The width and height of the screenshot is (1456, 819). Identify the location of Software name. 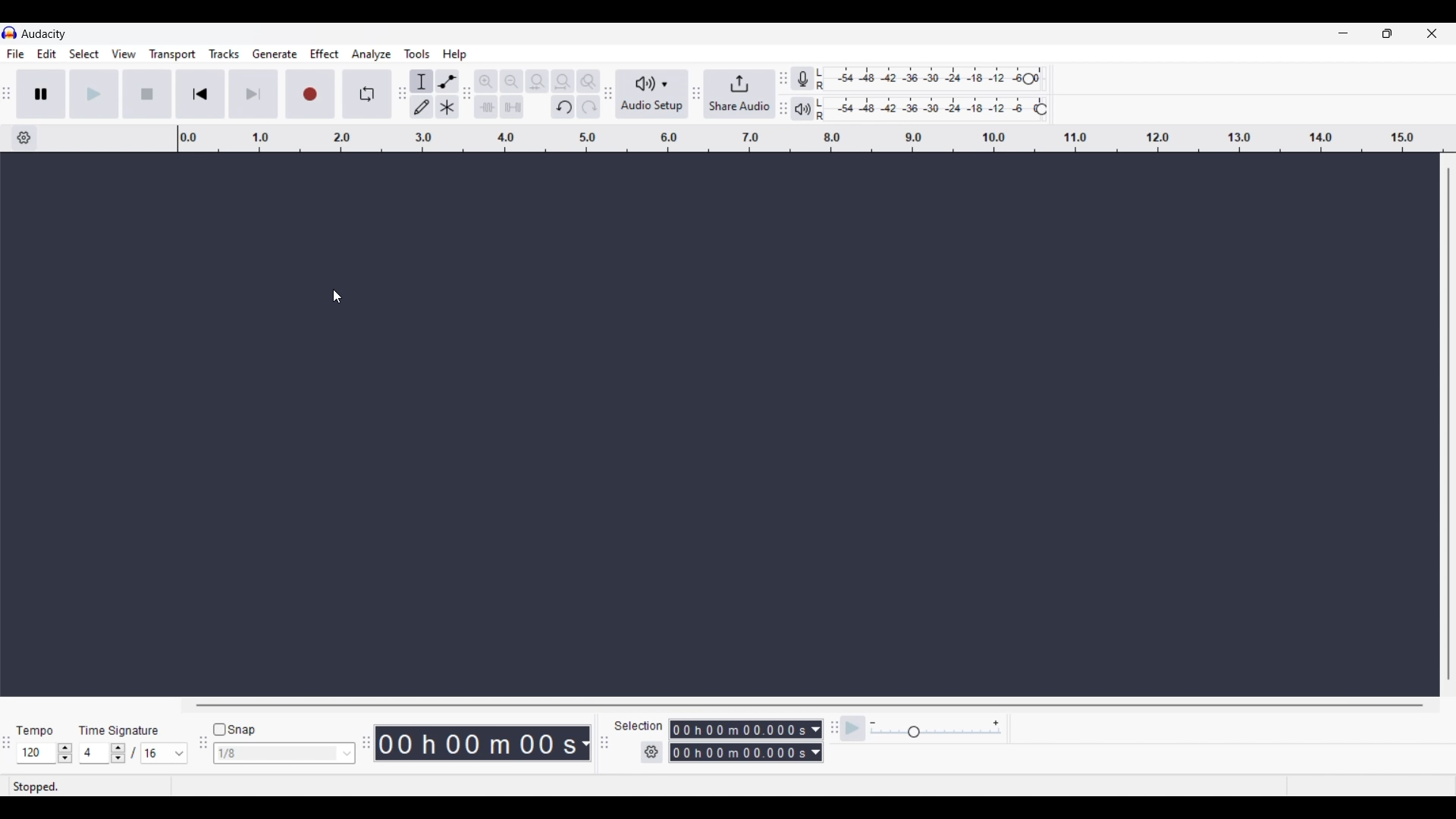
(44, 33).